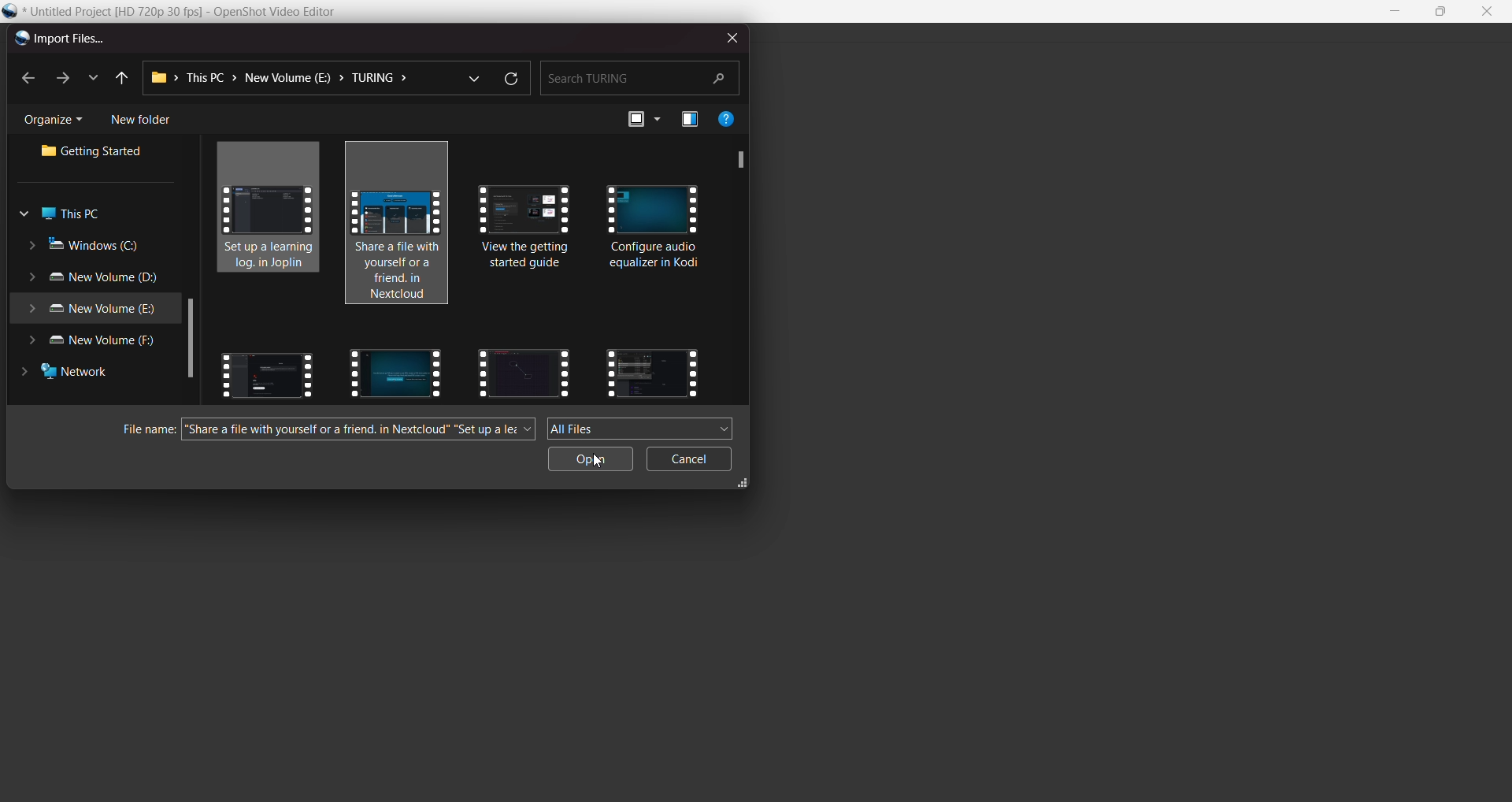 The height and width of the screenshot is (802, 1512). Describe the element at coordinates (401, 227) in the screenshot. I see `selected videos` at that location.